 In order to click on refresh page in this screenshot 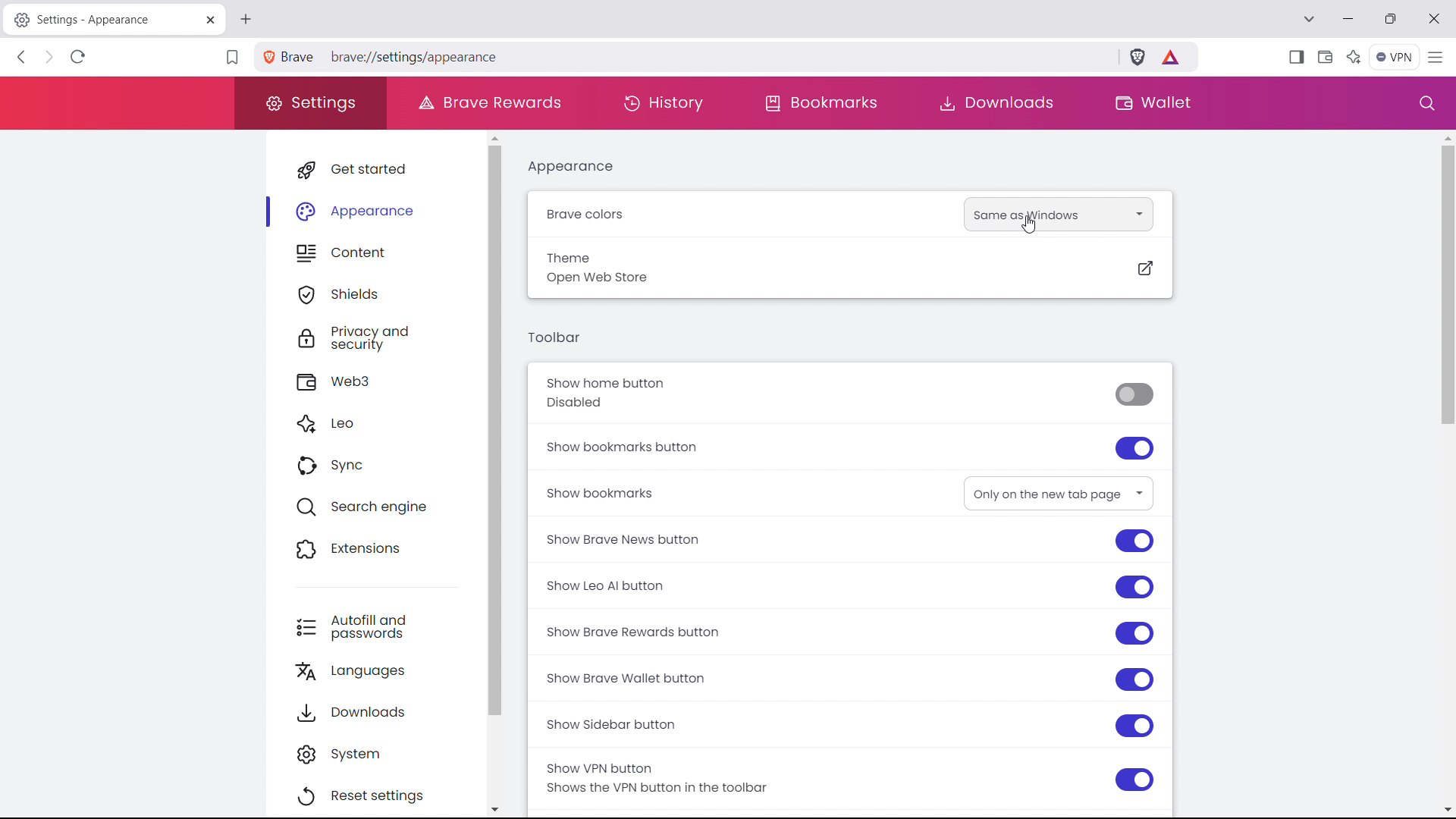, I will do `click(77, 57)`.